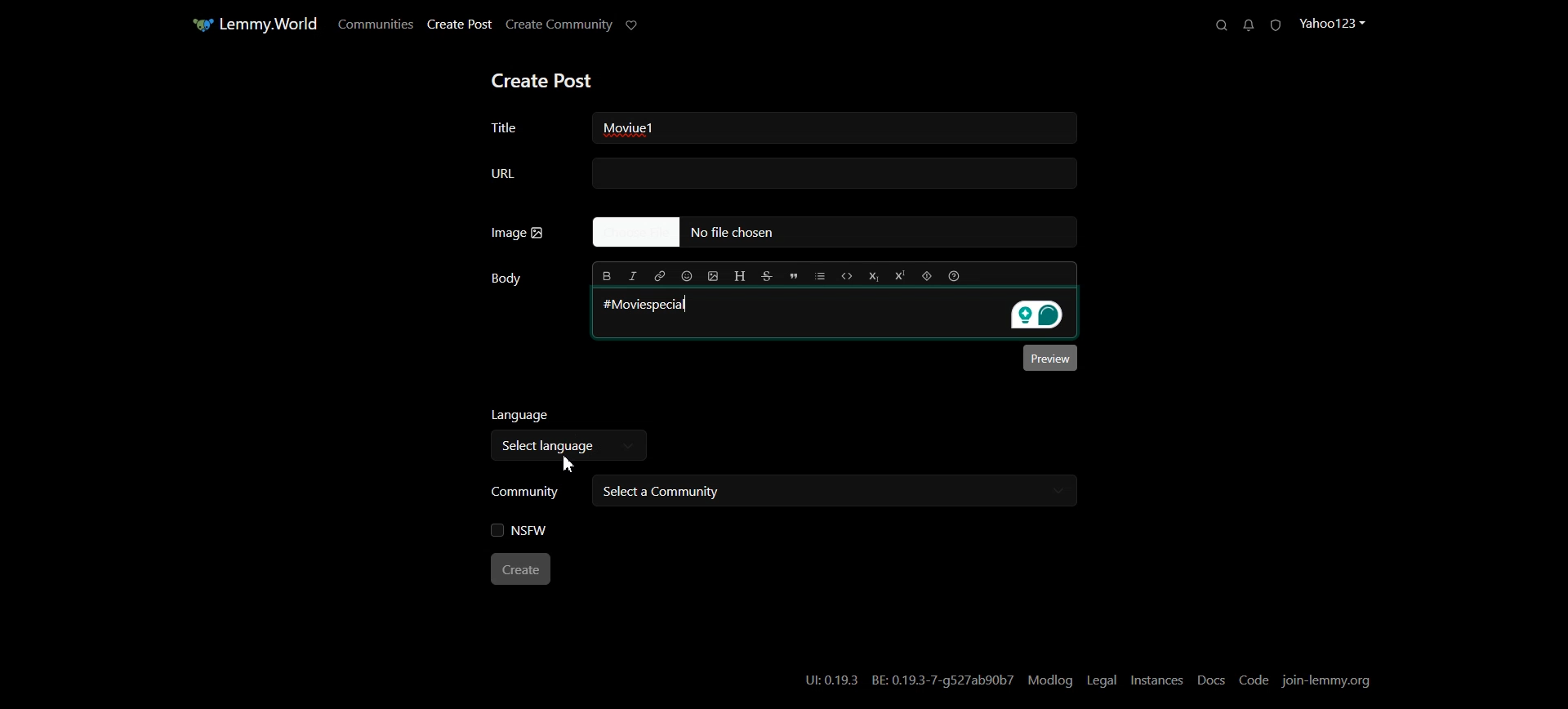  I want to click on Profile, so click(1337, 23).